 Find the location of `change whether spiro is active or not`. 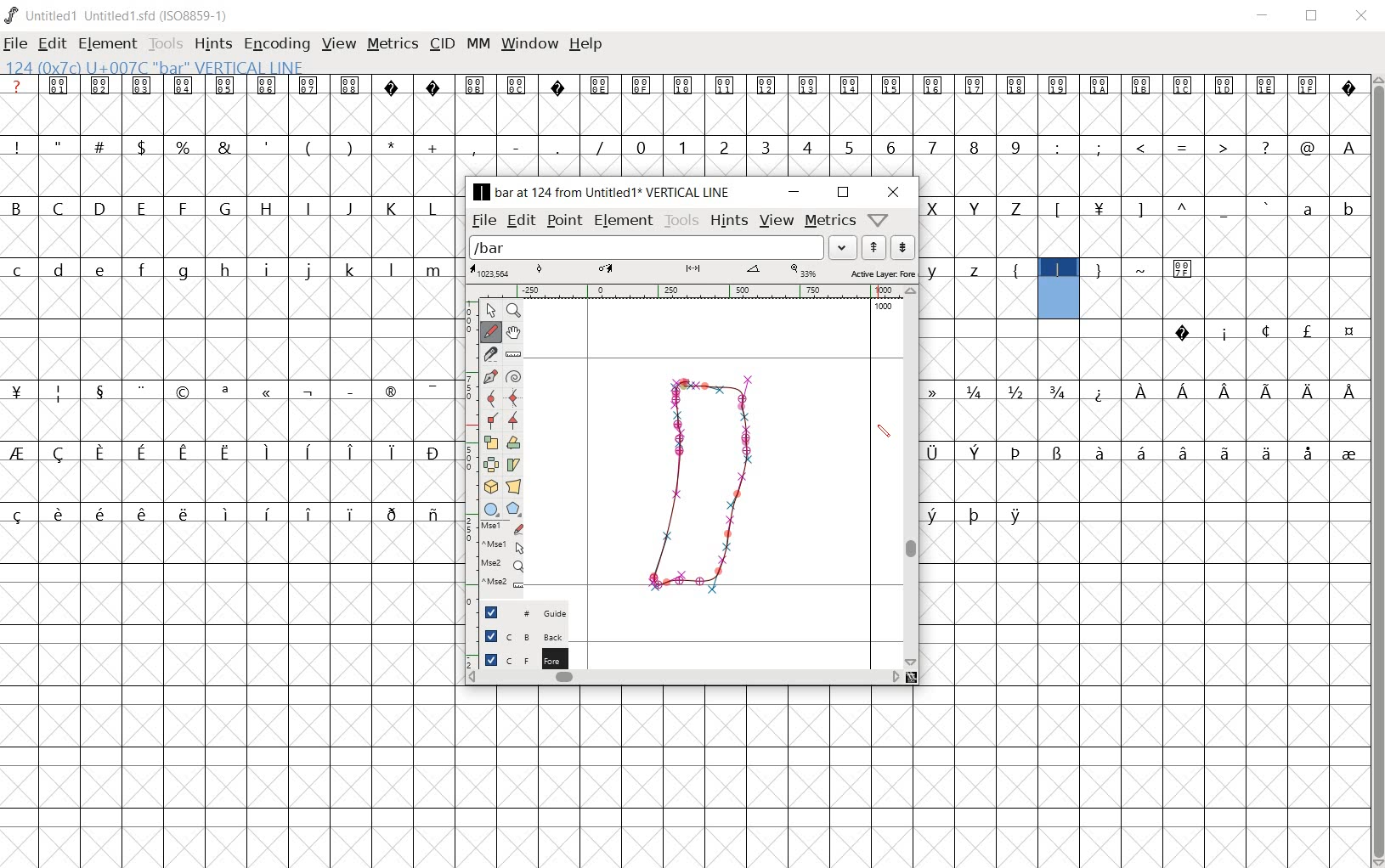

change whether spiro is active or not is located at coordinates (512, 375).